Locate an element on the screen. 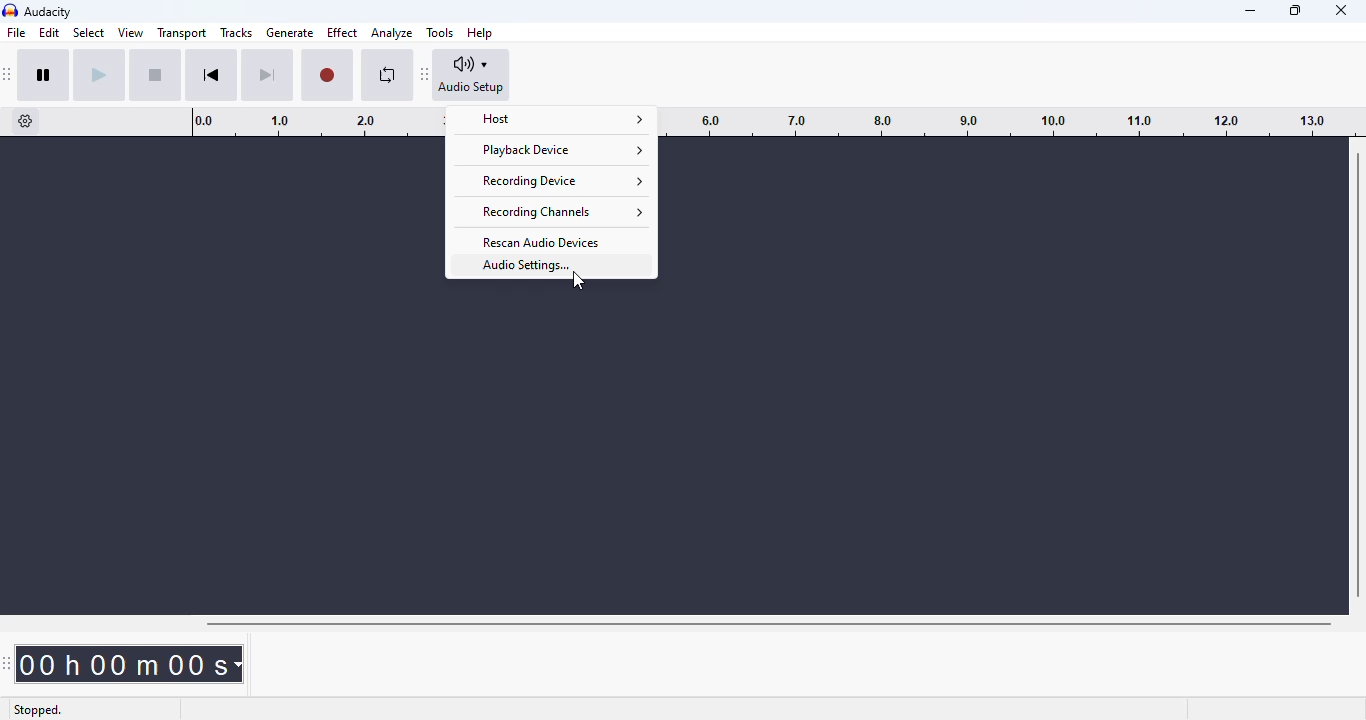 The height and width of the screenshot is (720, 1366). audacity transport toolbar is located at coordinates (8, 74).